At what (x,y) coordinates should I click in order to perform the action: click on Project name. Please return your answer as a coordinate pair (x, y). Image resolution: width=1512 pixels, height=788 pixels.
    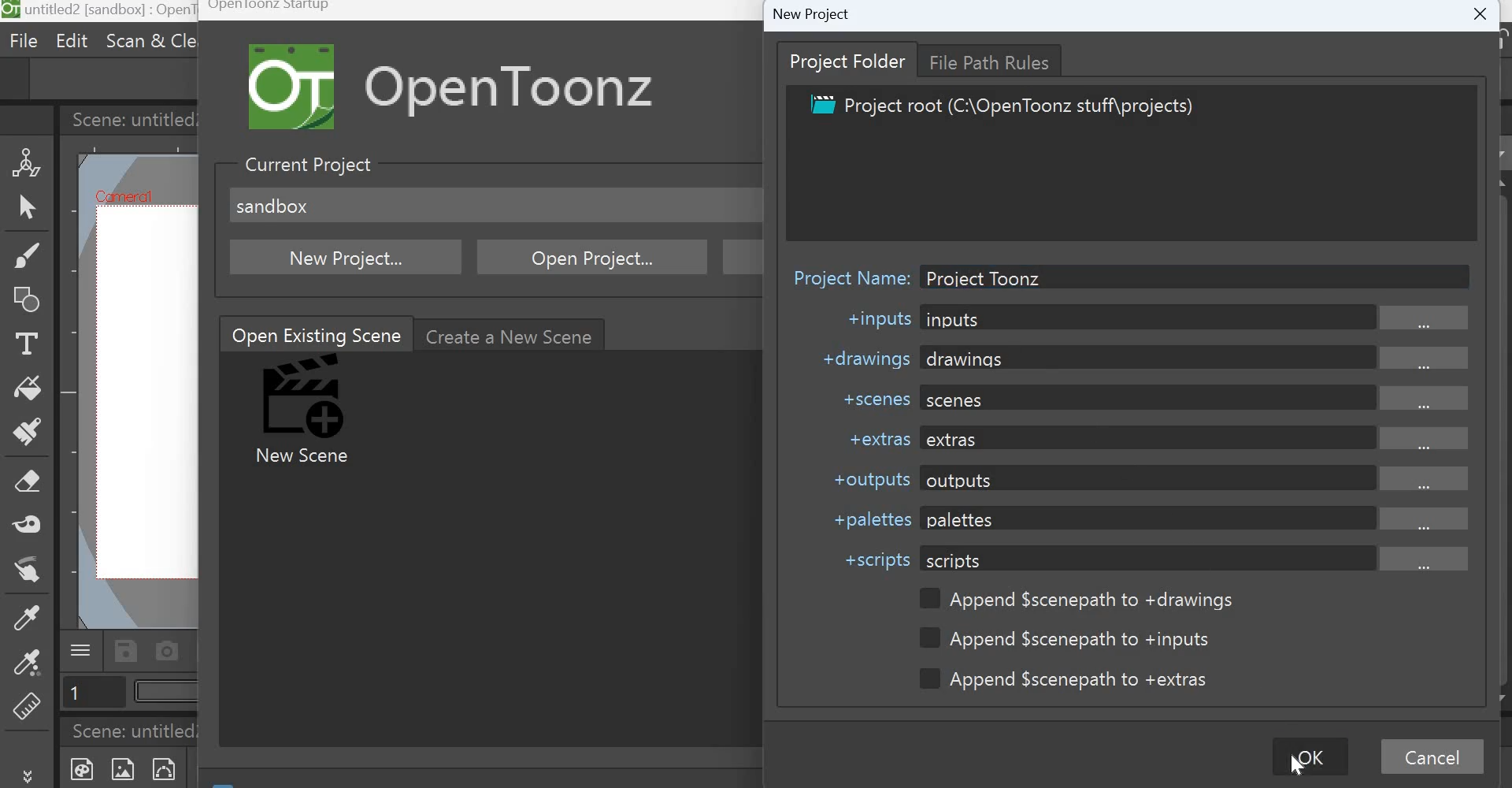
    Looking at the image, I should click on (848, 273).